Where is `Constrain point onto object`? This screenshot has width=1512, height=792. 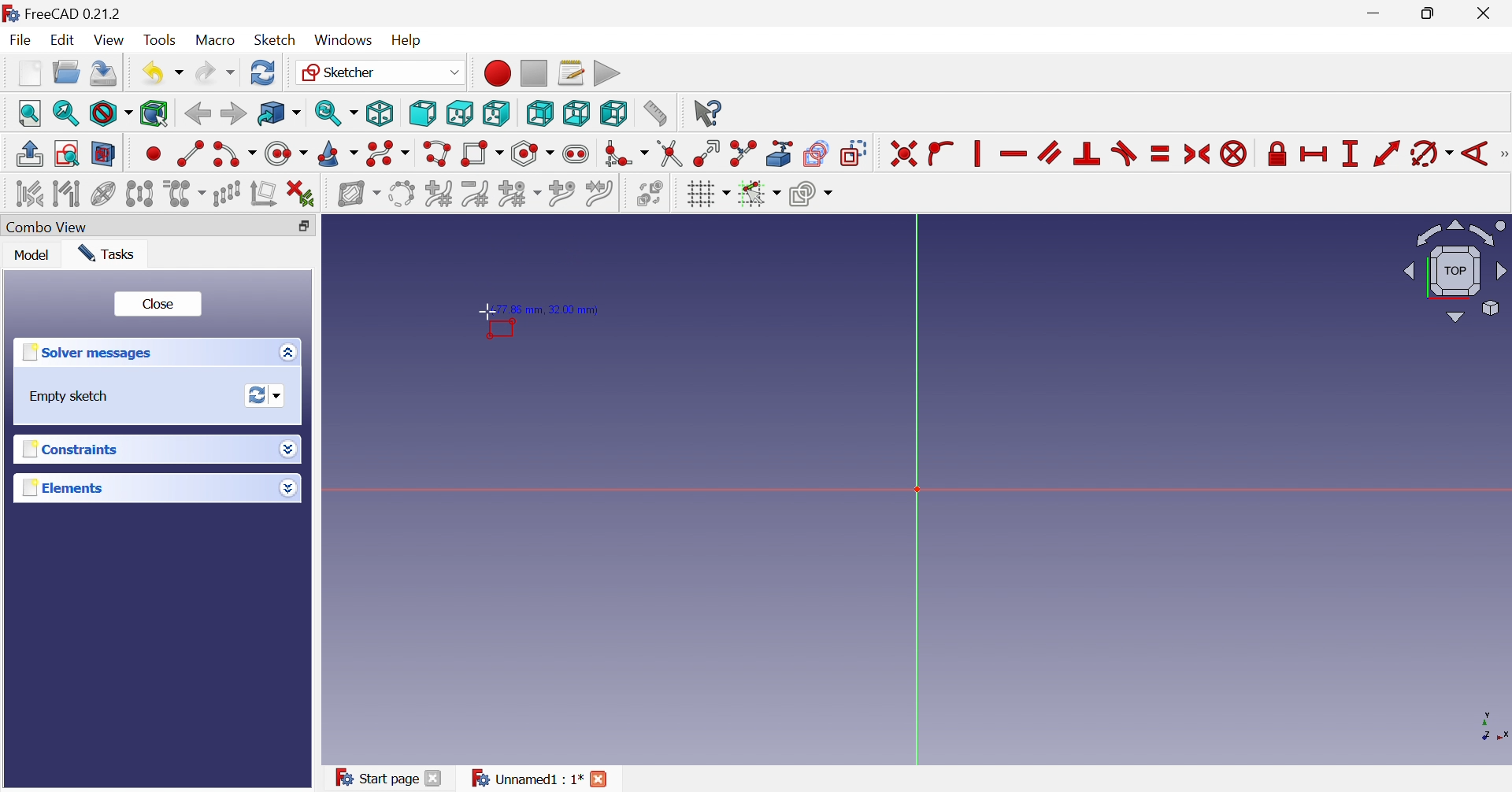
Constrain point onto object is located at coordinates (940, 151).